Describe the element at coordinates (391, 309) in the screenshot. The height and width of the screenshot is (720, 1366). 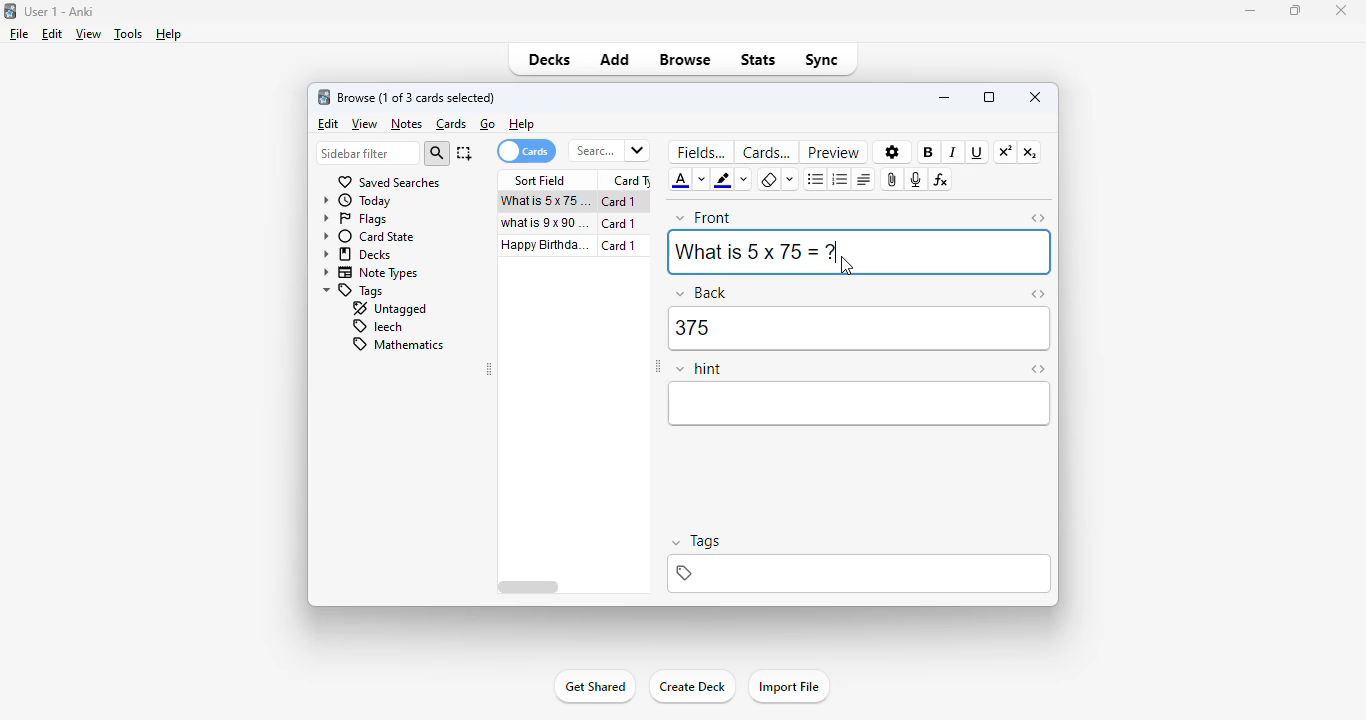
I see `untagged` at that location.